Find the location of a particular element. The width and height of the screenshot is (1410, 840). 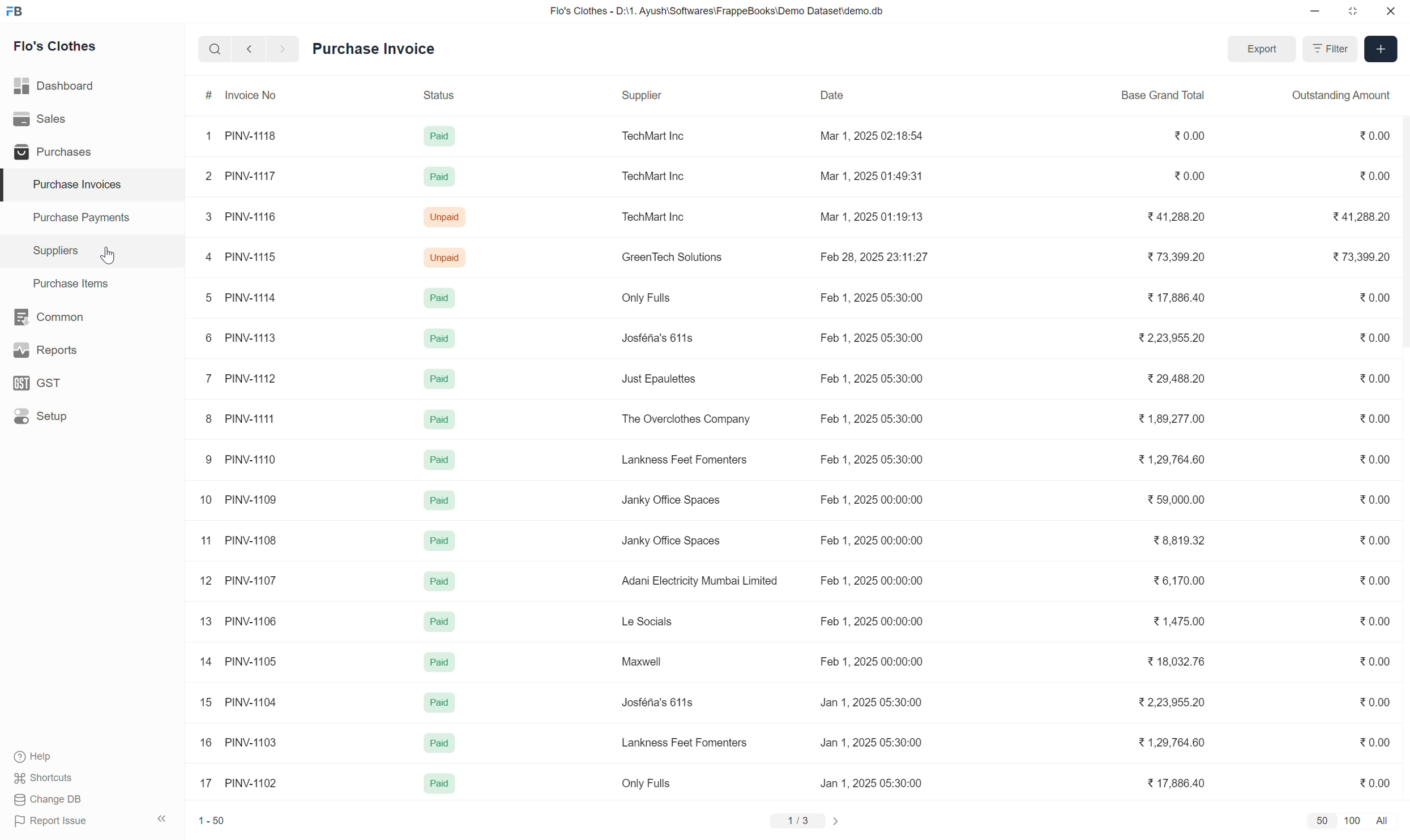

Purchase Payments is located at coordinates (87, 214).